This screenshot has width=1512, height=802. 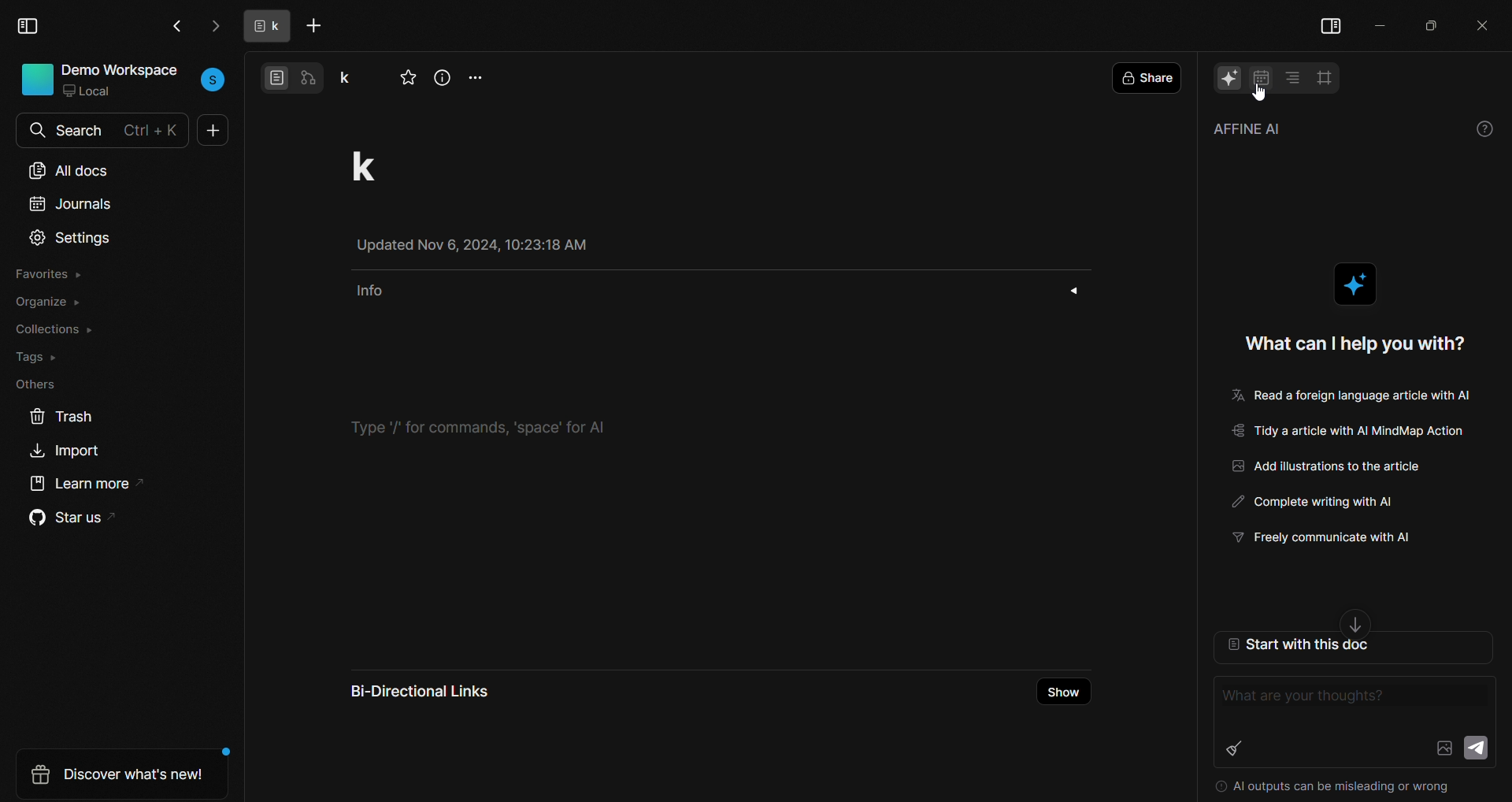 I want to click on project name, so click(x=353, y=76).